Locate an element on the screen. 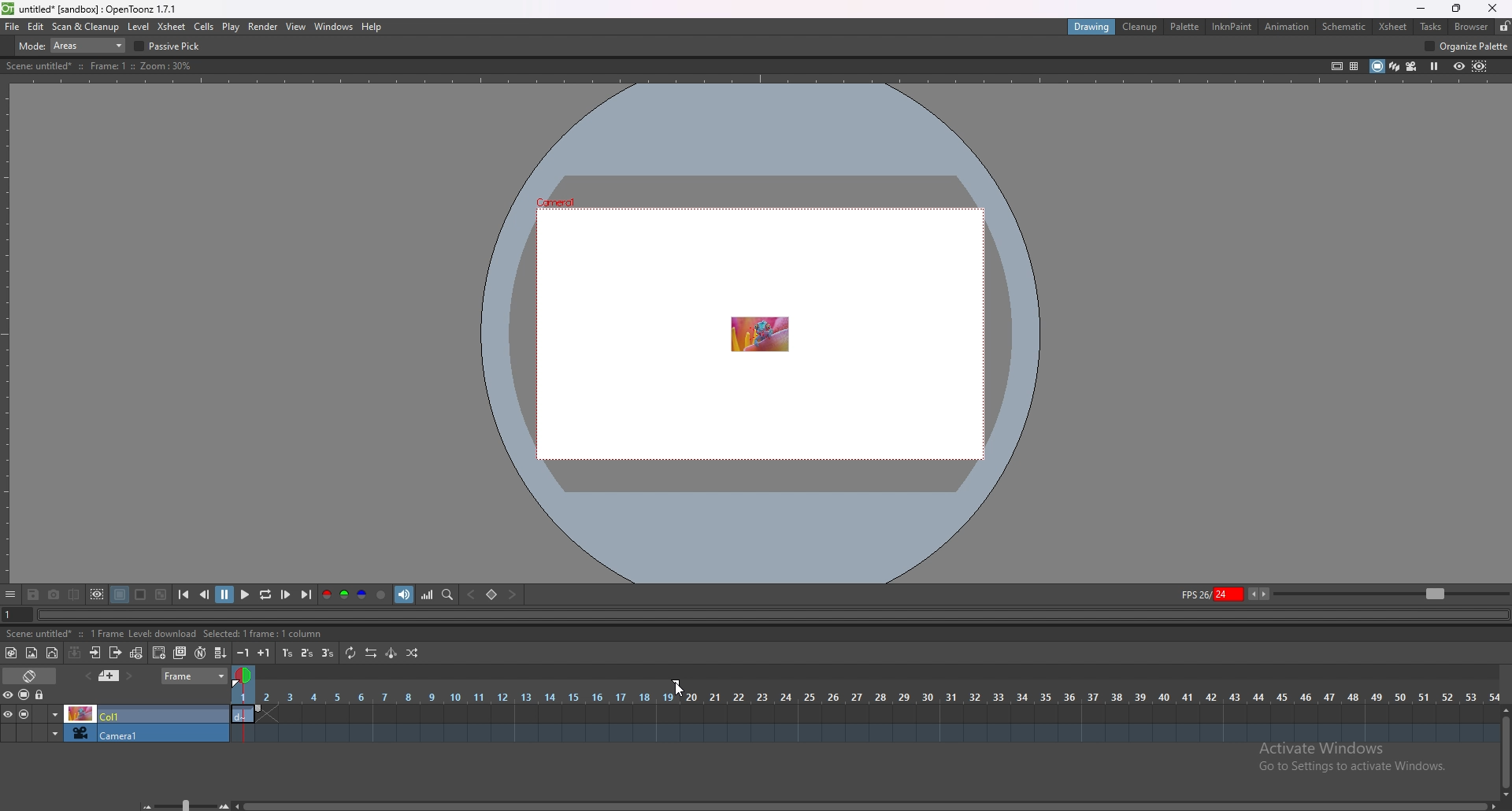 Image resolution: width=1512 pixels, height=811 pixels. loop is located at coordinates (266, 594).